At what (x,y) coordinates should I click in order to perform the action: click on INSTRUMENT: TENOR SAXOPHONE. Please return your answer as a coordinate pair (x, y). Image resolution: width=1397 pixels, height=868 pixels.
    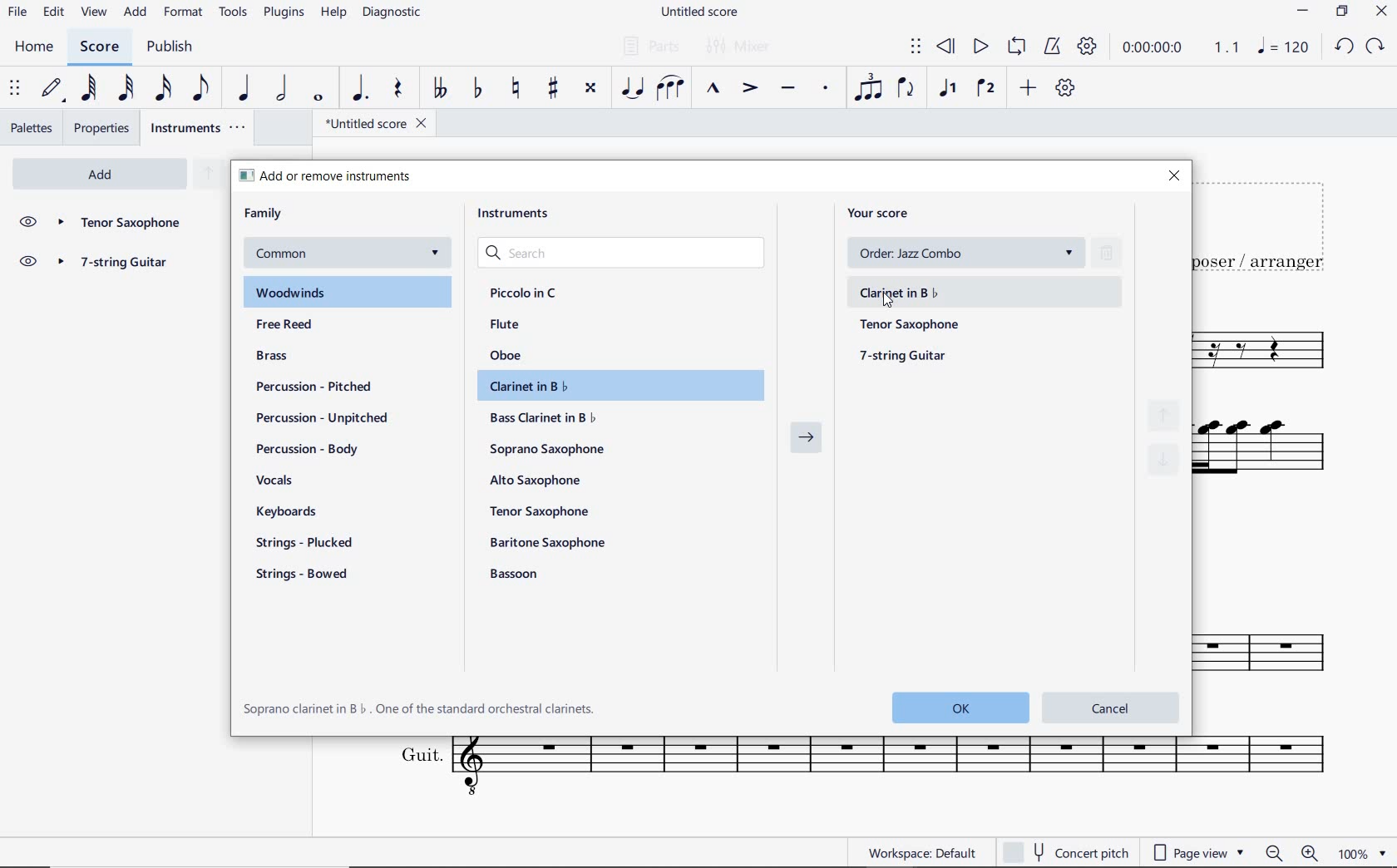
    Looking at the image, I should click on (1271, 352).